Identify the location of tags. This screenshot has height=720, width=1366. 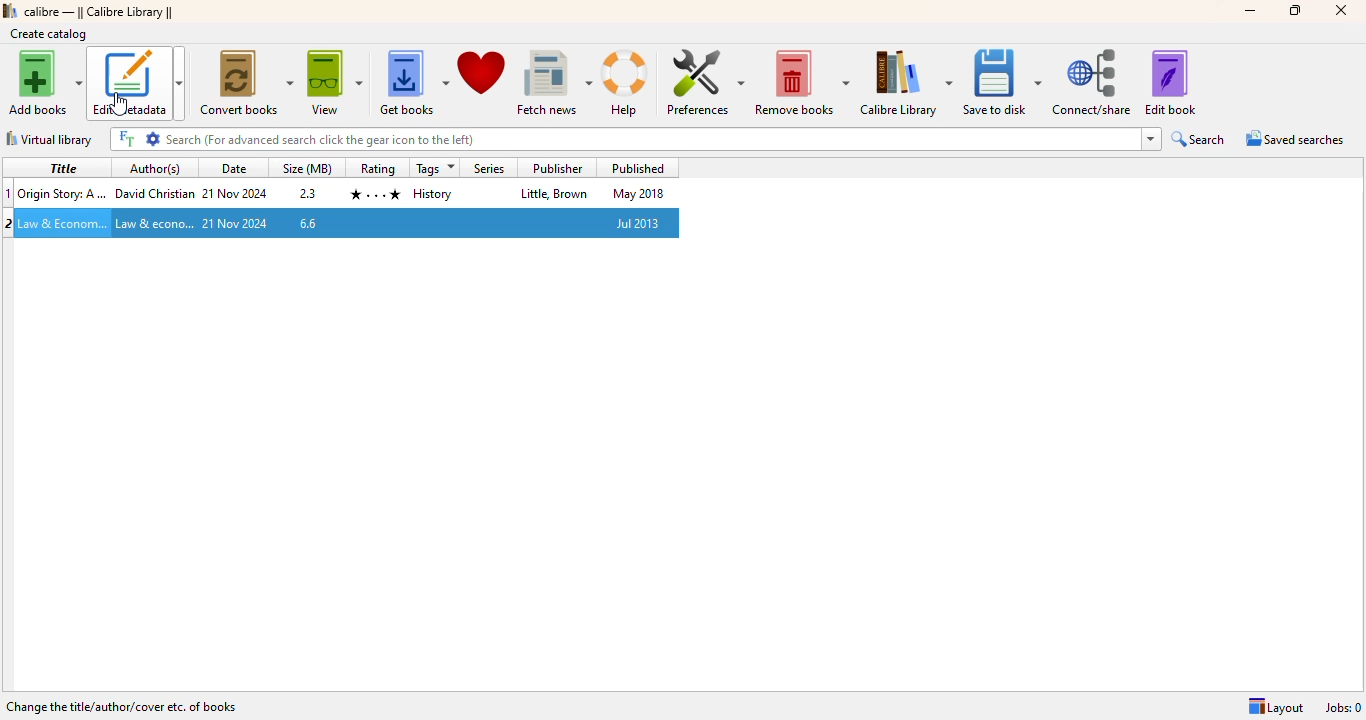
(437, 168).